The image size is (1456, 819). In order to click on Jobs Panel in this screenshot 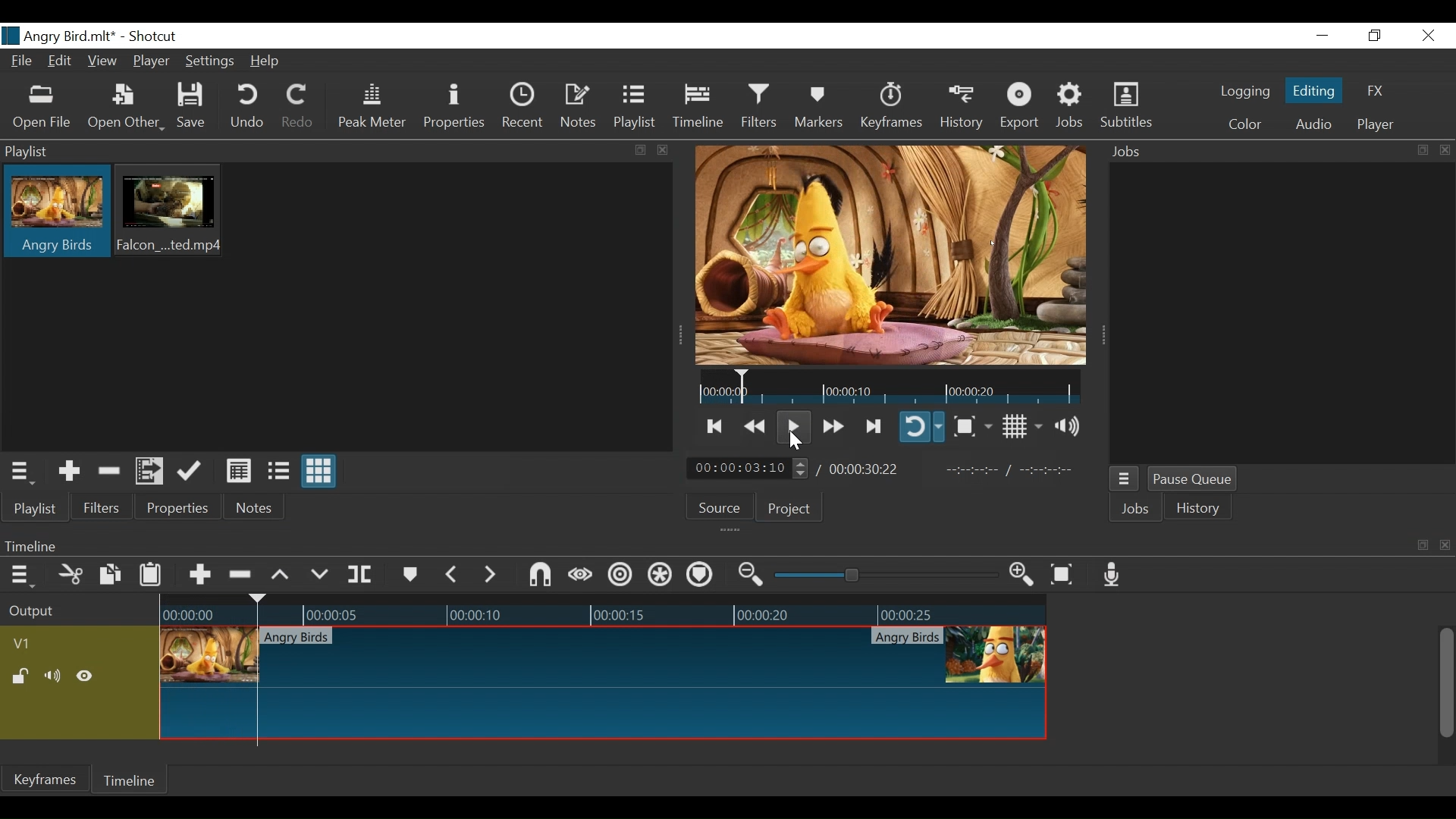, I will do `click(1277, 150)`.